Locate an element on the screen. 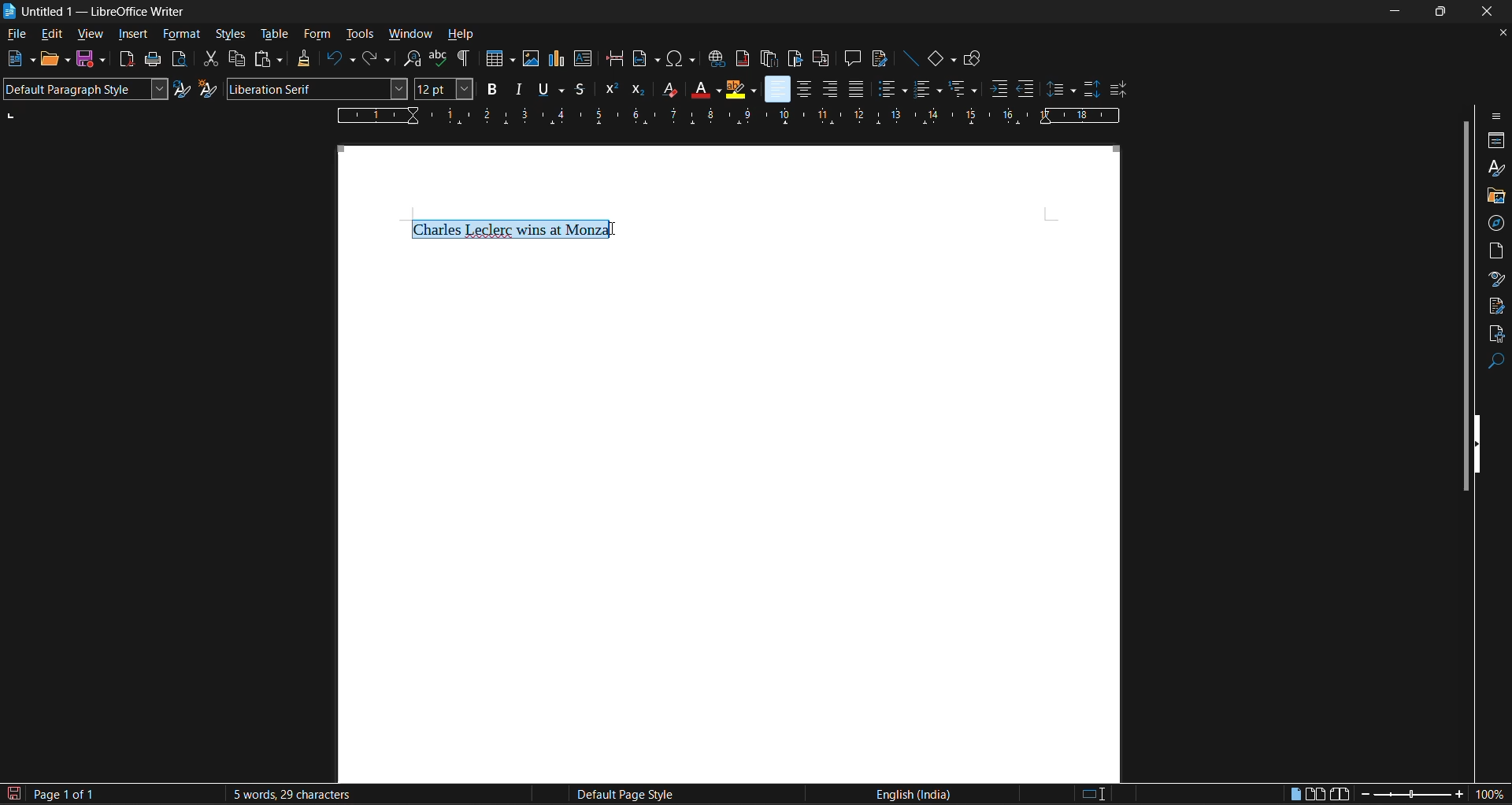 The width and height of the screenshot is (1512, 805). navigator is located at coordinates (1496, 224).